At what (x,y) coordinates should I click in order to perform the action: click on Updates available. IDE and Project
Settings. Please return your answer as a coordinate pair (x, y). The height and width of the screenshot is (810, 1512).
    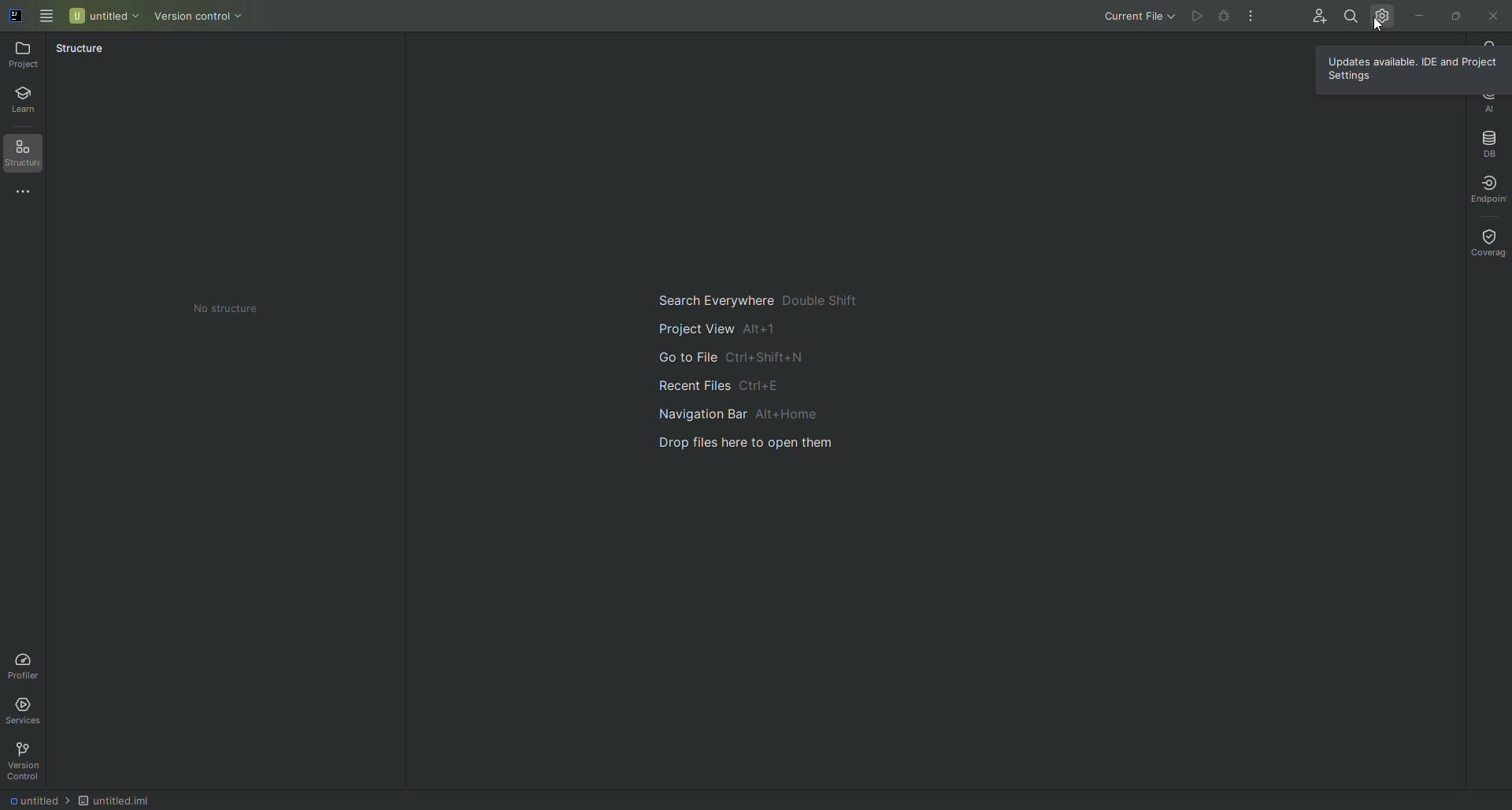
    Looking at the image, I should click on (1417, 69).